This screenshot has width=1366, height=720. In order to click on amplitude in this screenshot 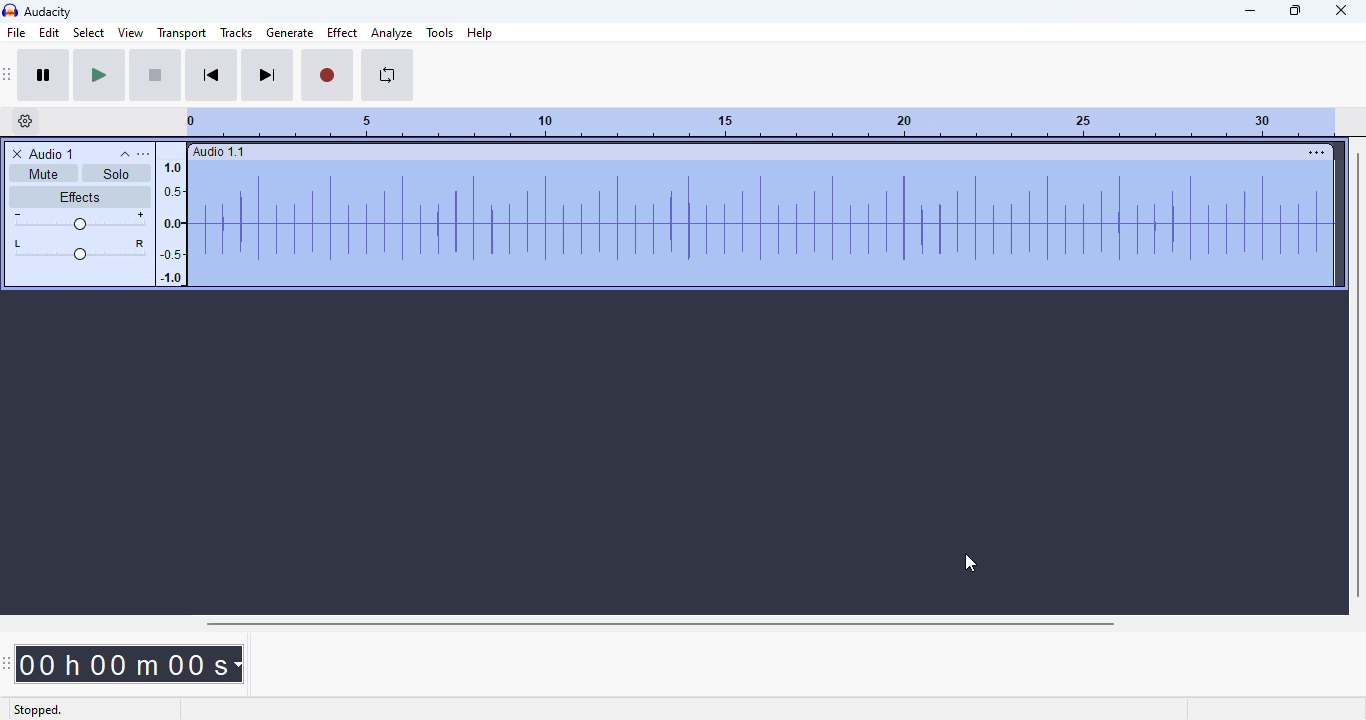, I will do `click(171, 219)`.